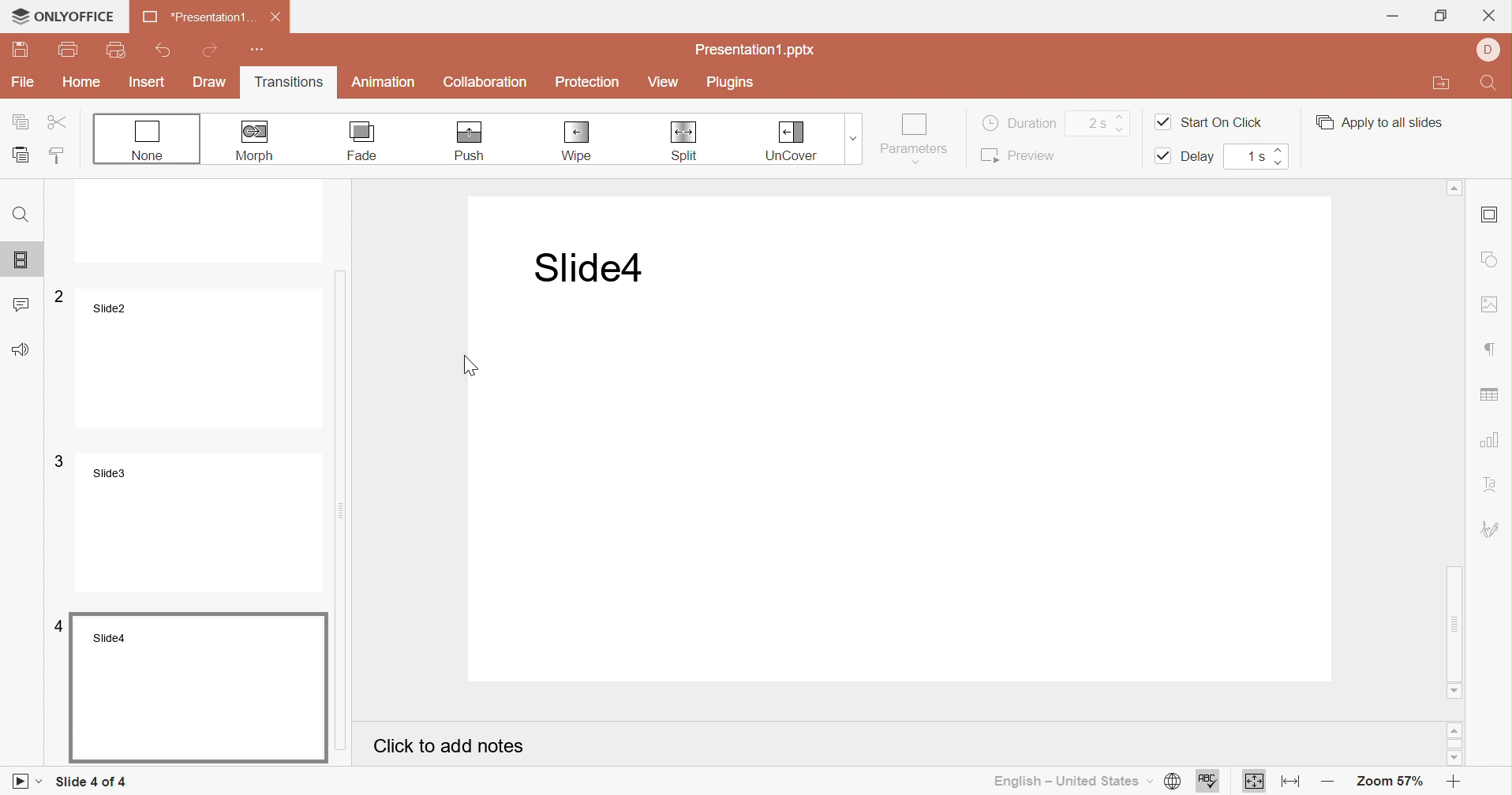  I want to click on Split, so click(683, 141).